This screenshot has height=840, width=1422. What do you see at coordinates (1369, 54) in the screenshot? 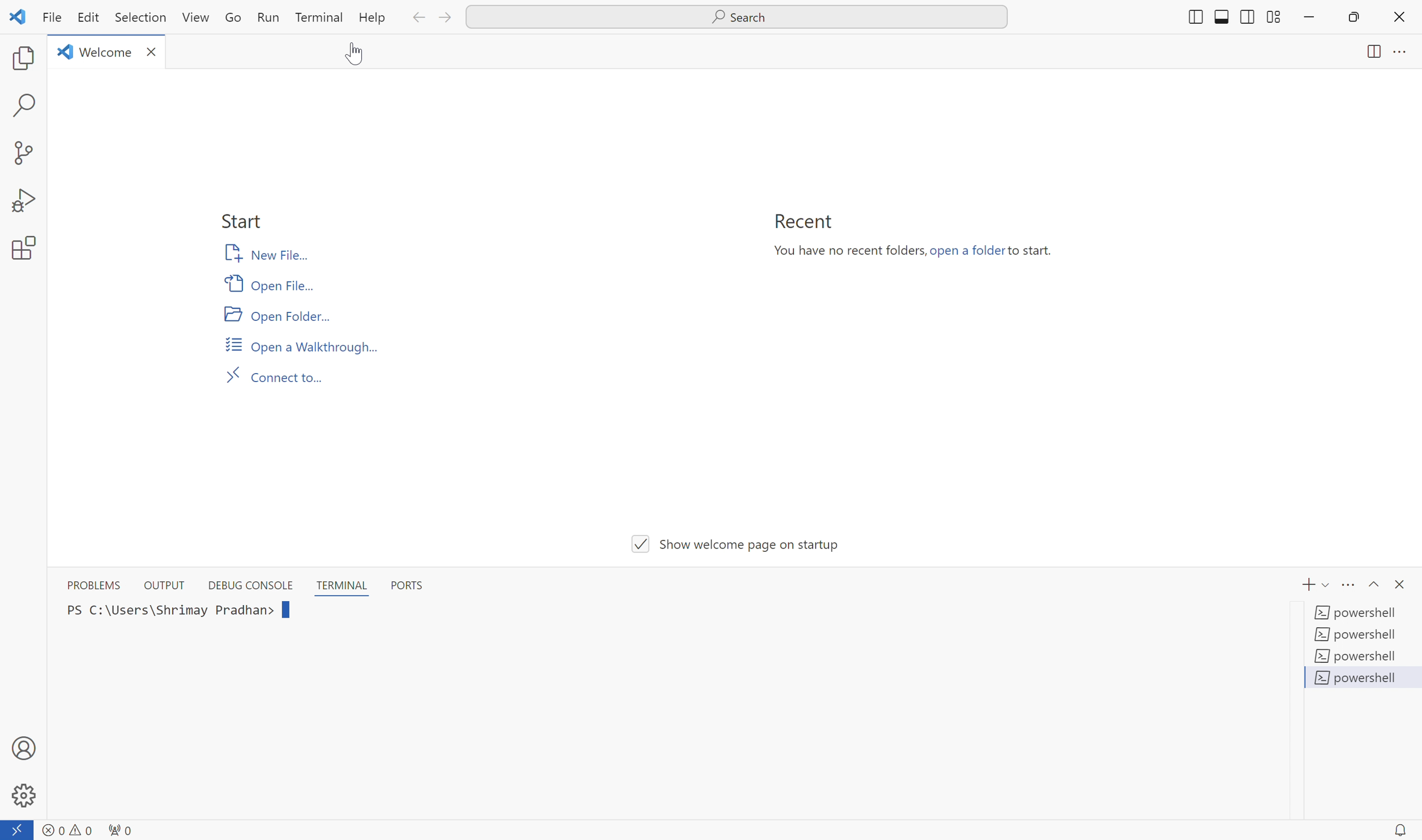
I see `split` at bounding box center [1369, 54].